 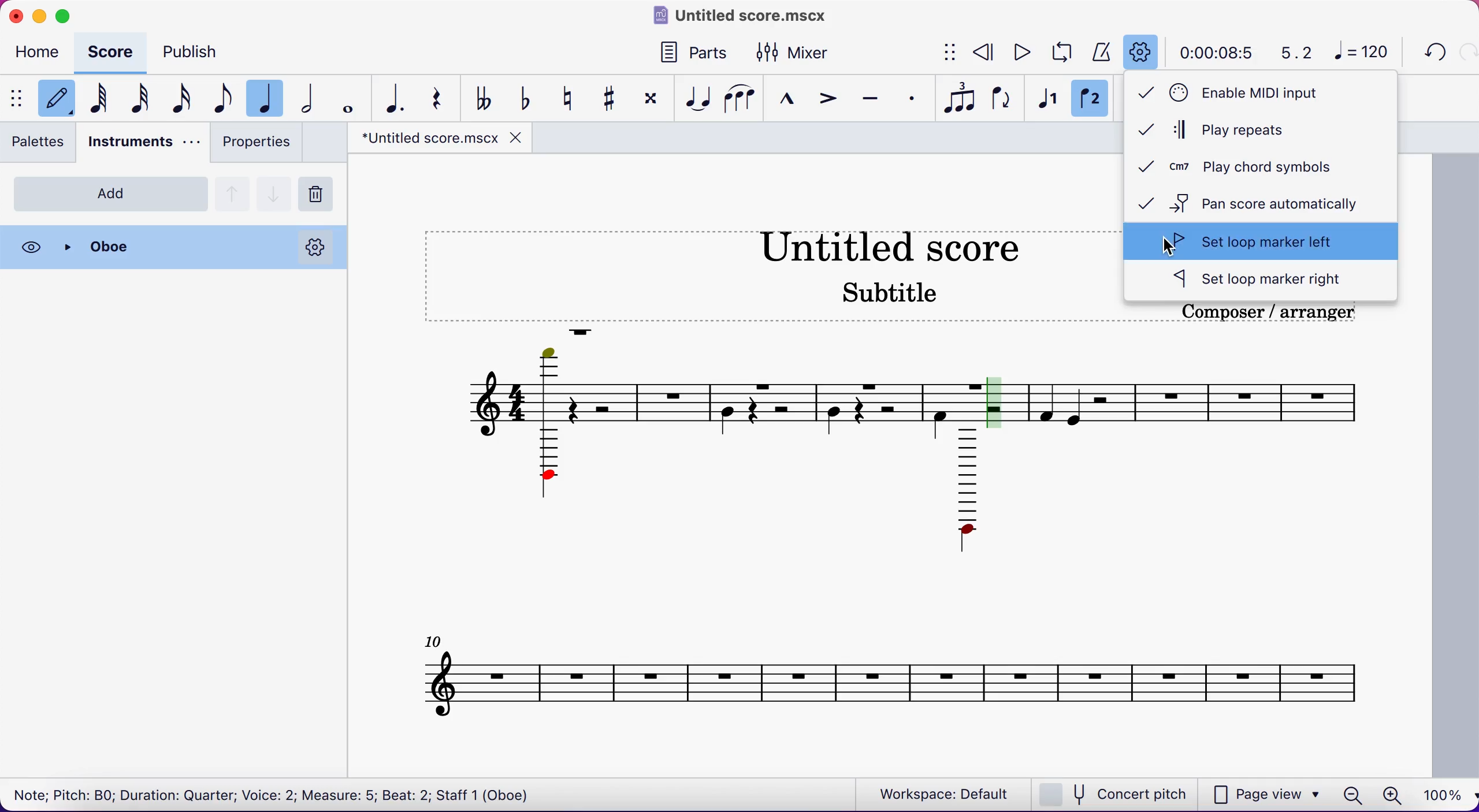 What do you see at coordinates (274, 191) in the screenshot?
I see `go down` at bounding box center [274, 191].